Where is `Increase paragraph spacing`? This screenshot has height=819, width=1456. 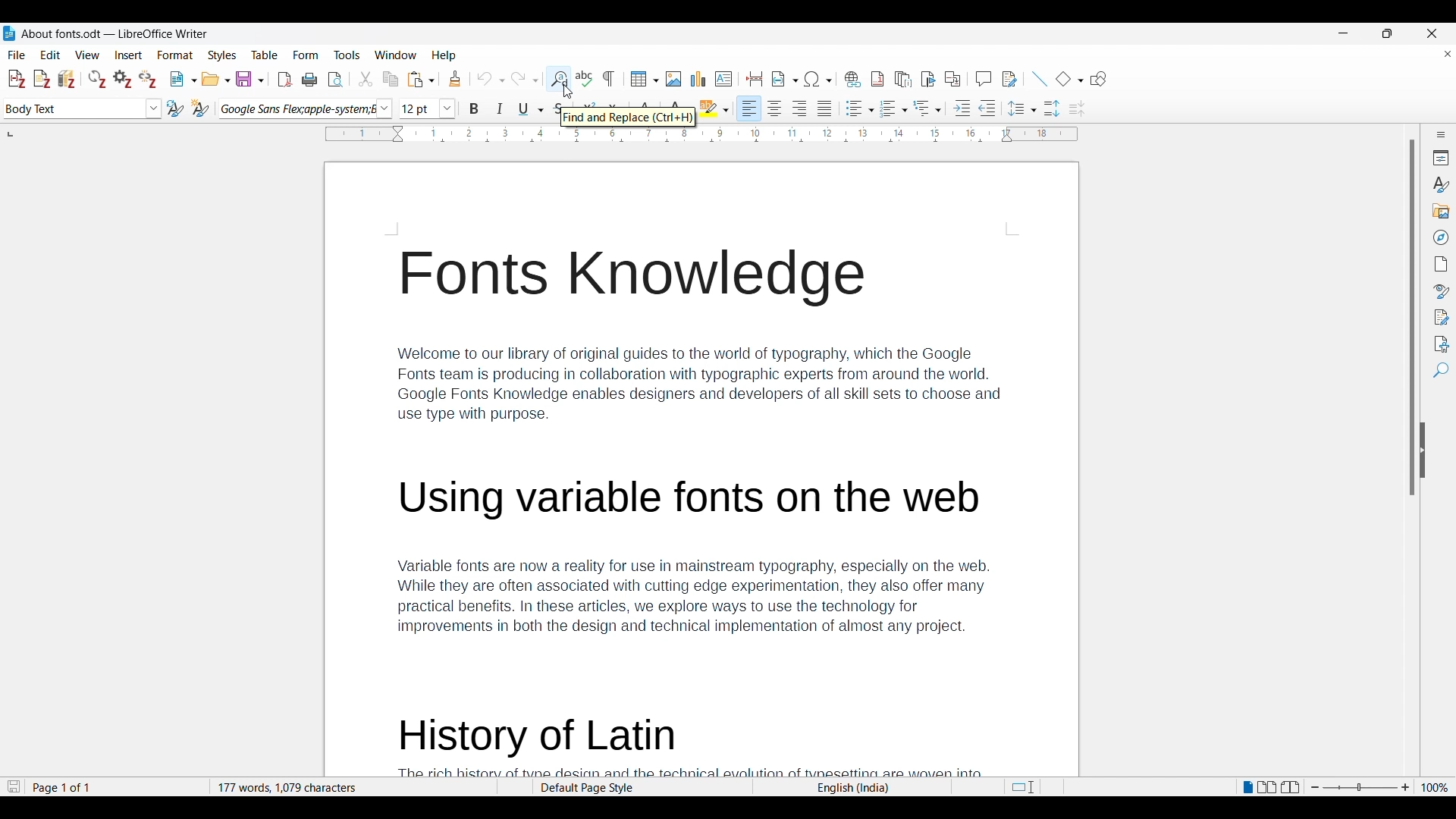
Increase paragraph spacing is located at coordinates (1053, 108).